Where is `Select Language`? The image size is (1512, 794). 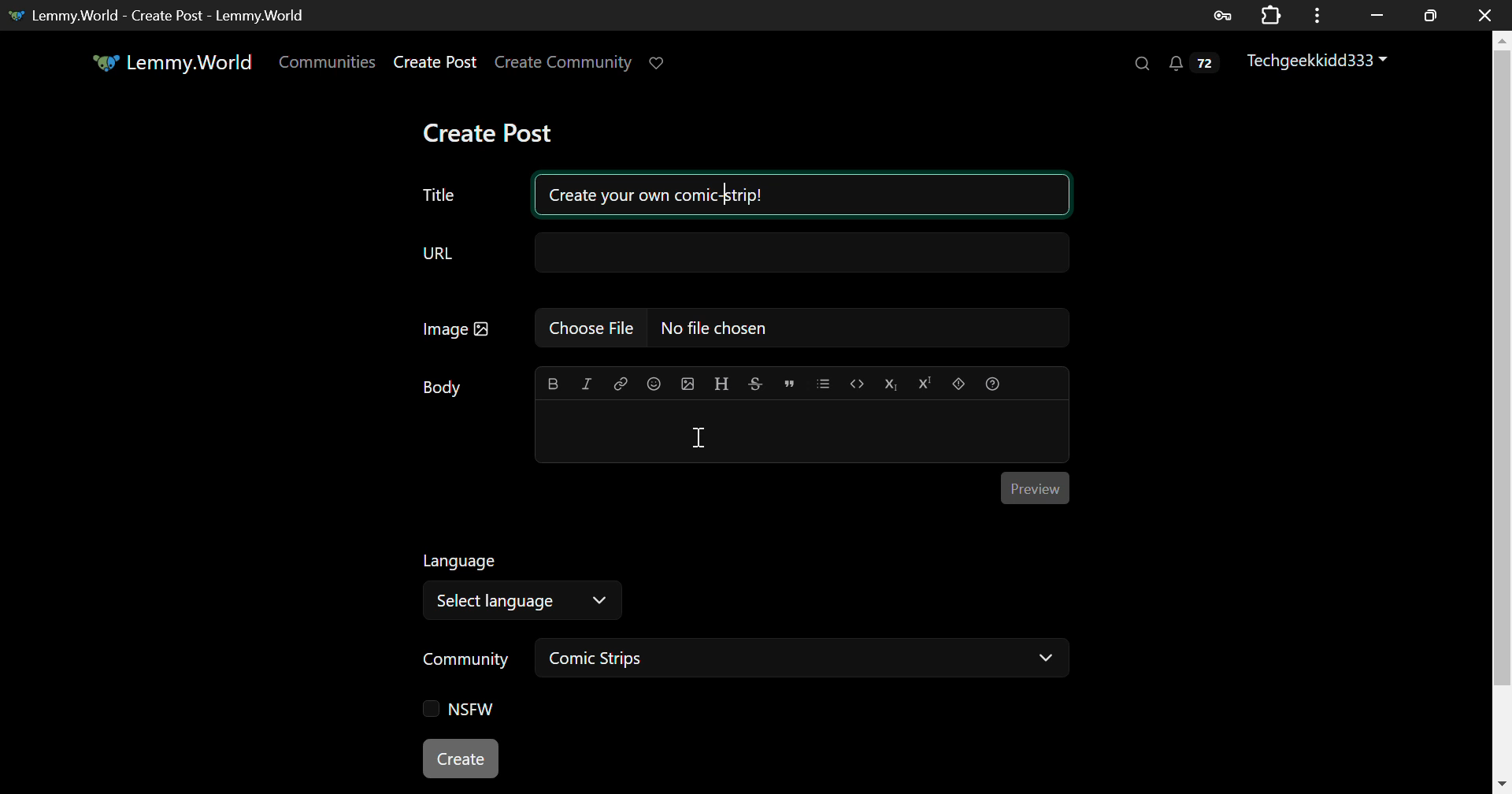 Select Language is located at coordinates (702, 583).